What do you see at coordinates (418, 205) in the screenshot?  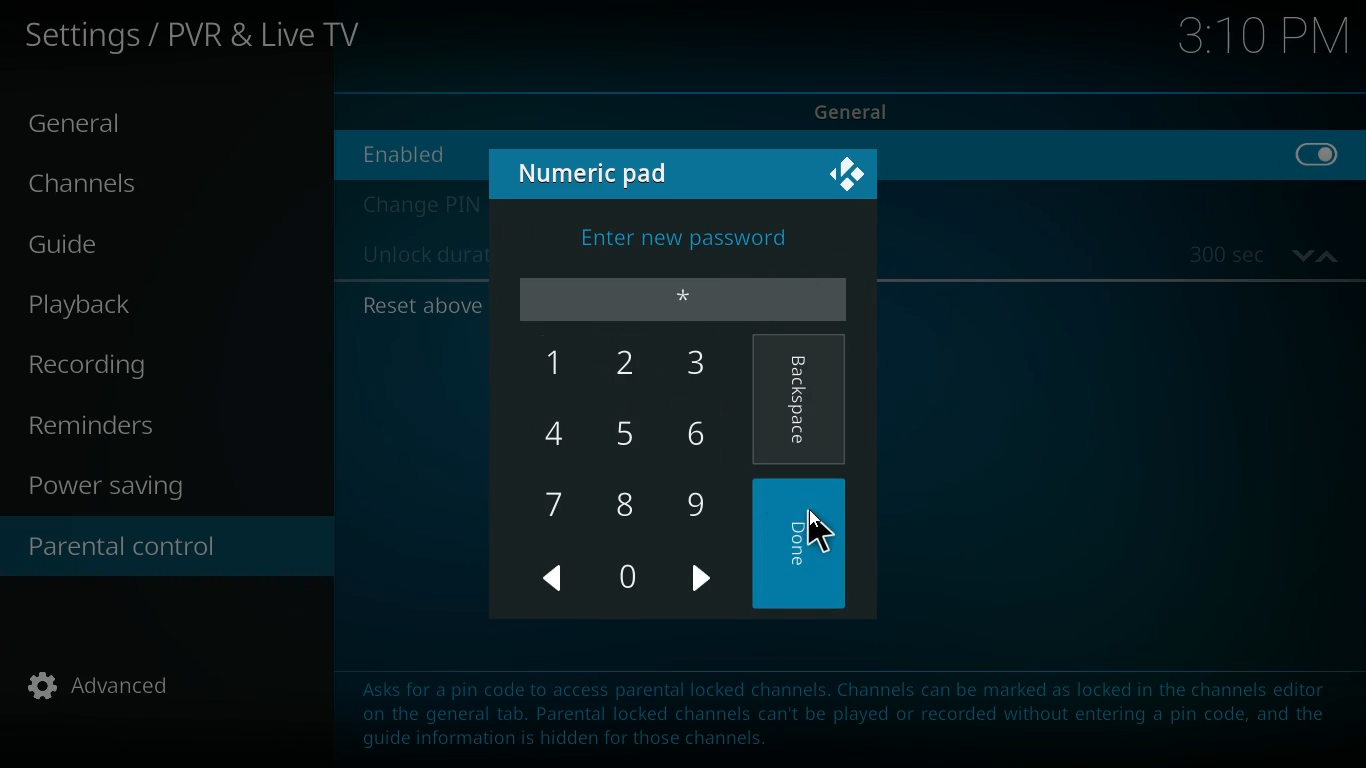 I see `change pin` at bounding box center [418, 205].